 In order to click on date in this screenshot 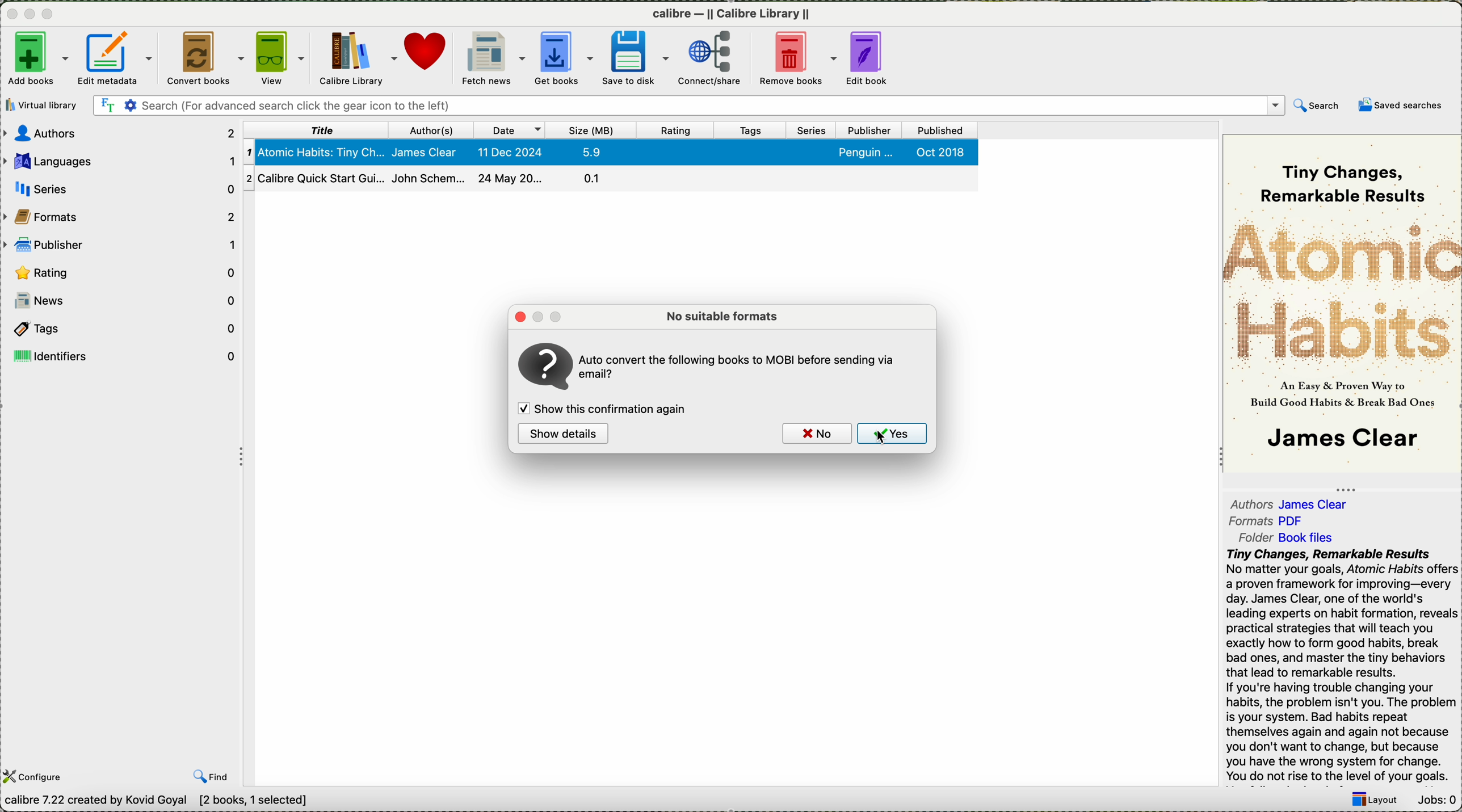, I will do `click(511, 129)`.